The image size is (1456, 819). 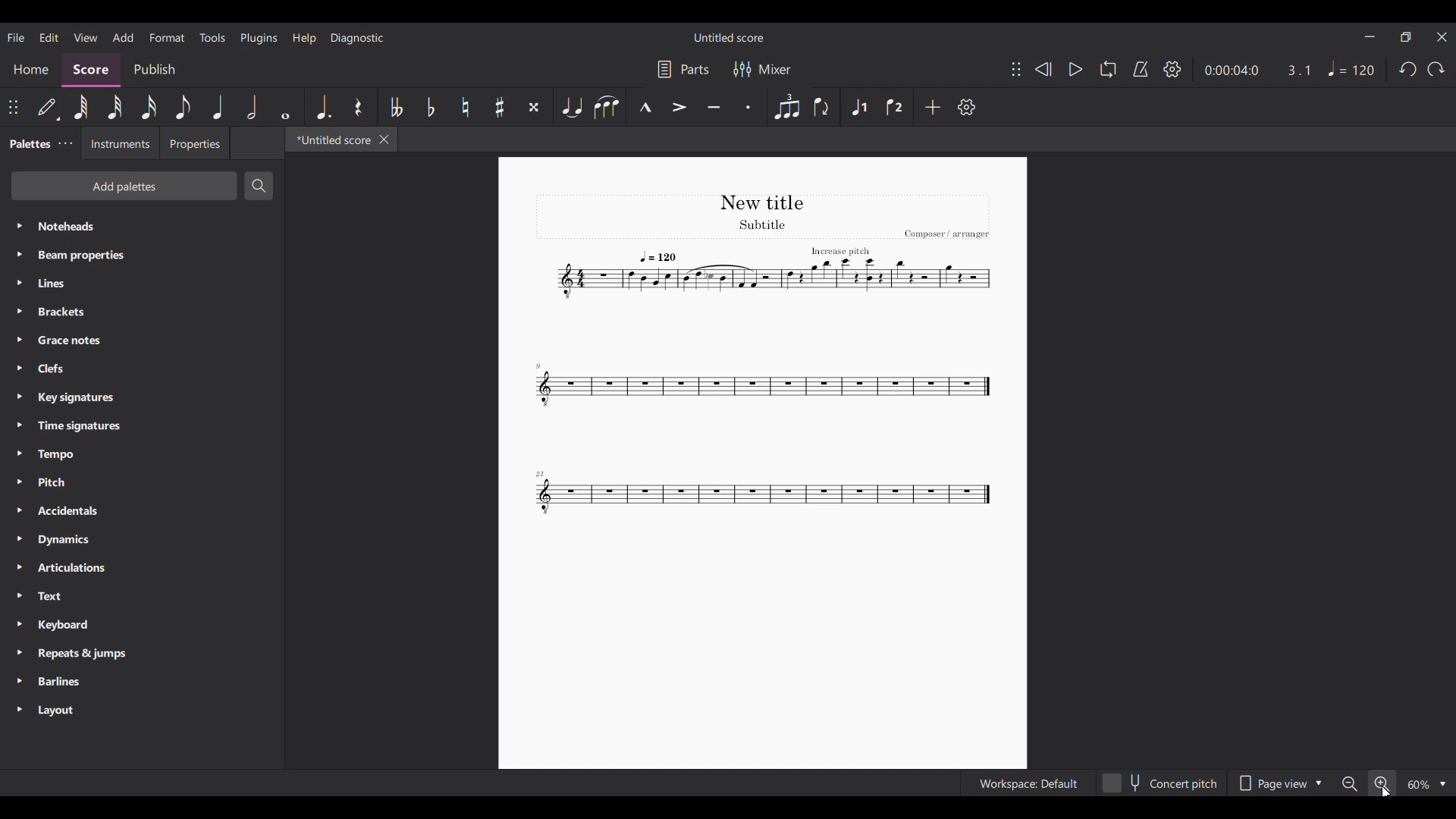 I want to click on File menu, so click(x=16, y=38).